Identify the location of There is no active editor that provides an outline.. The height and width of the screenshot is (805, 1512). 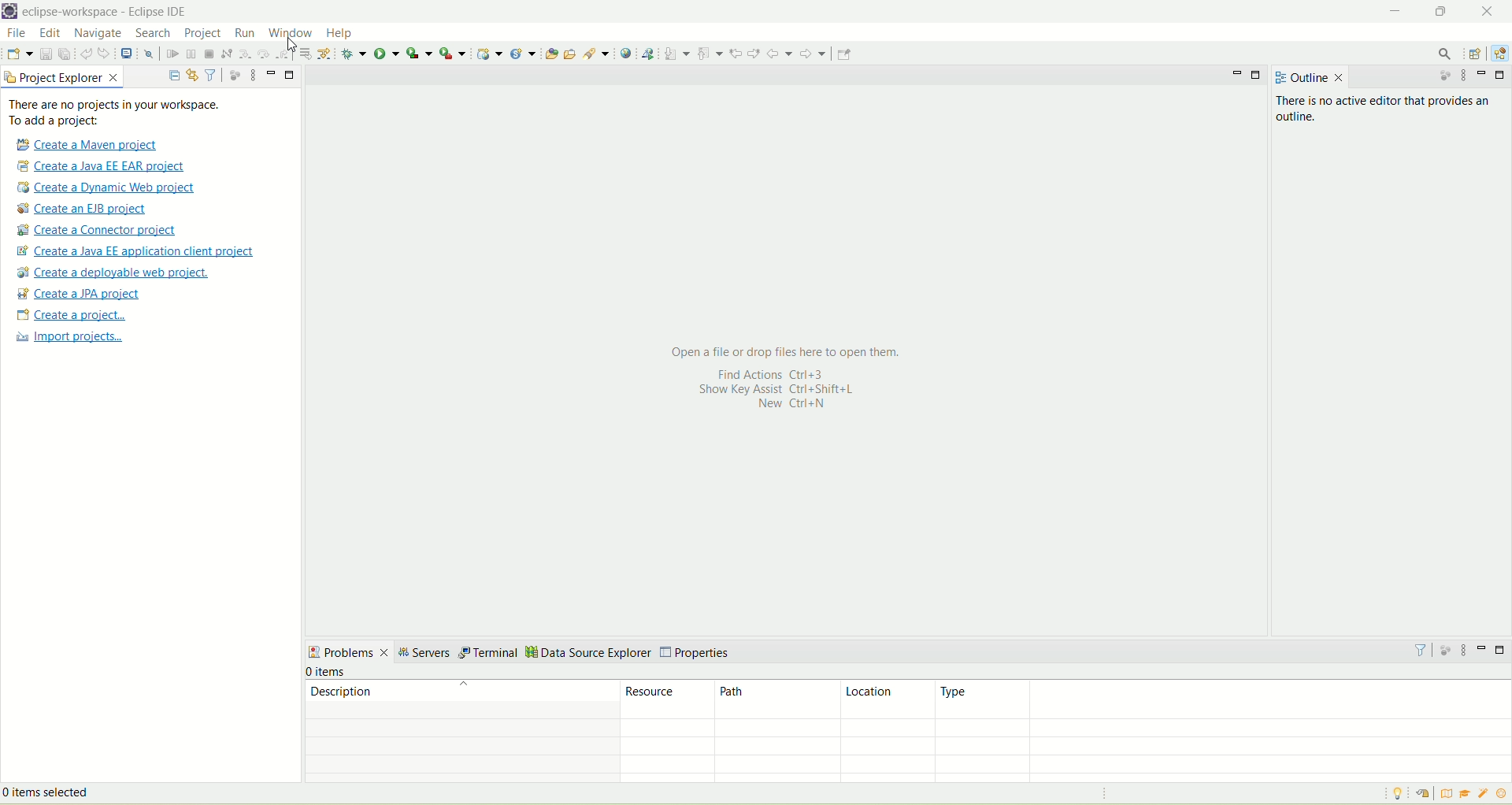
(1358, 121).